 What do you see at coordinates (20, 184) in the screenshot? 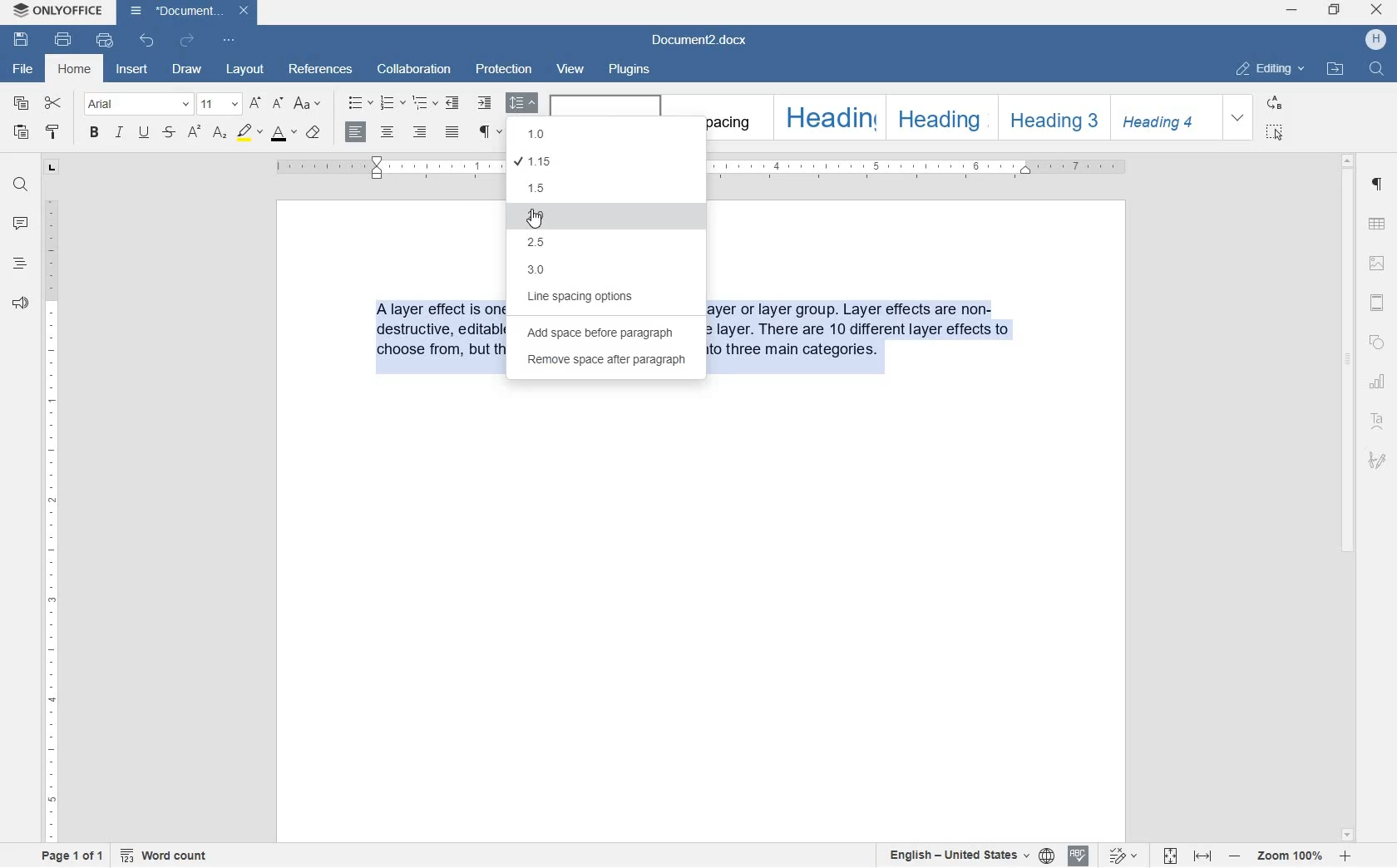
I see `find` at bounding box center [20, 184].